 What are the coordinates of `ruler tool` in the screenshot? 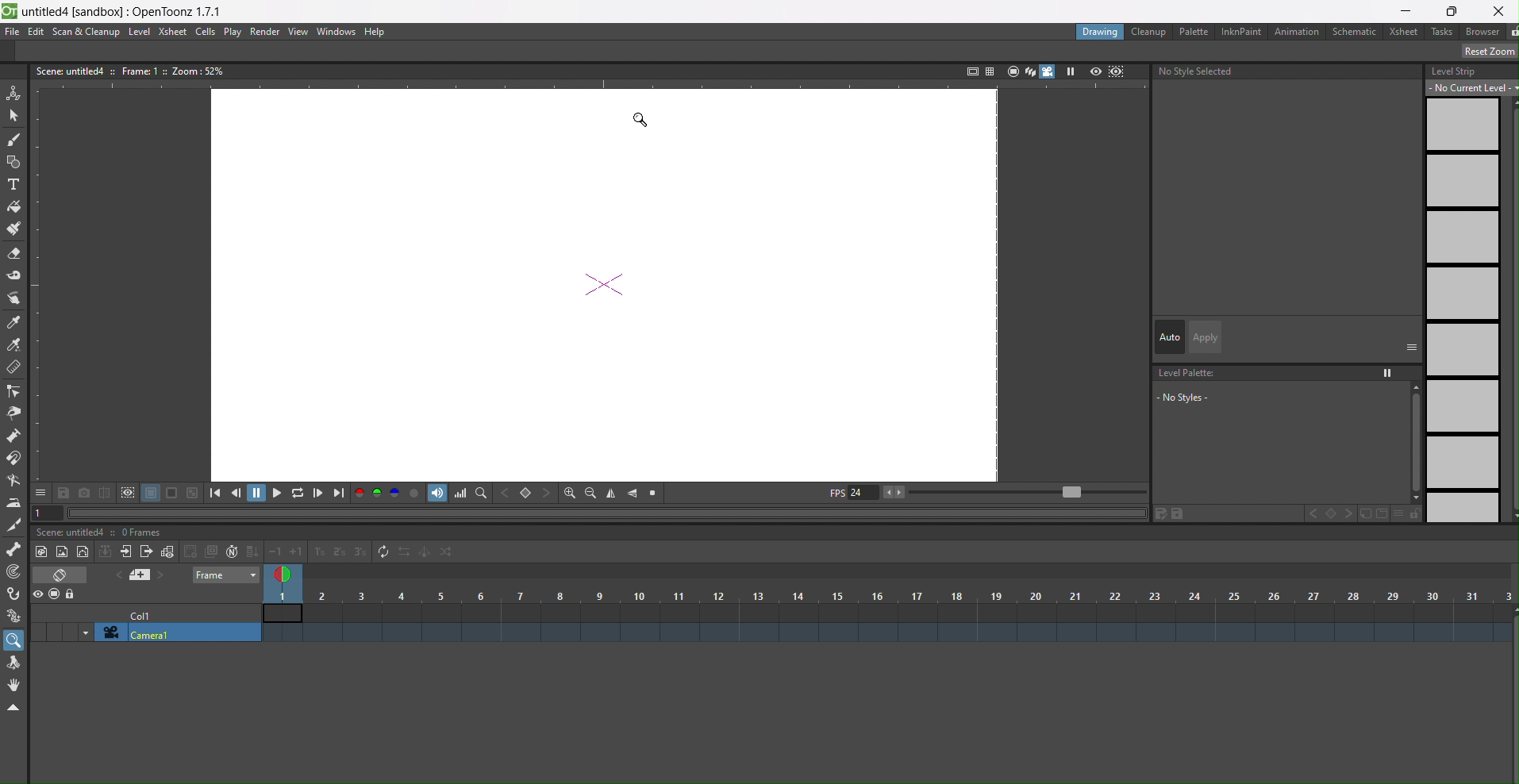 It's located at (14, 369).